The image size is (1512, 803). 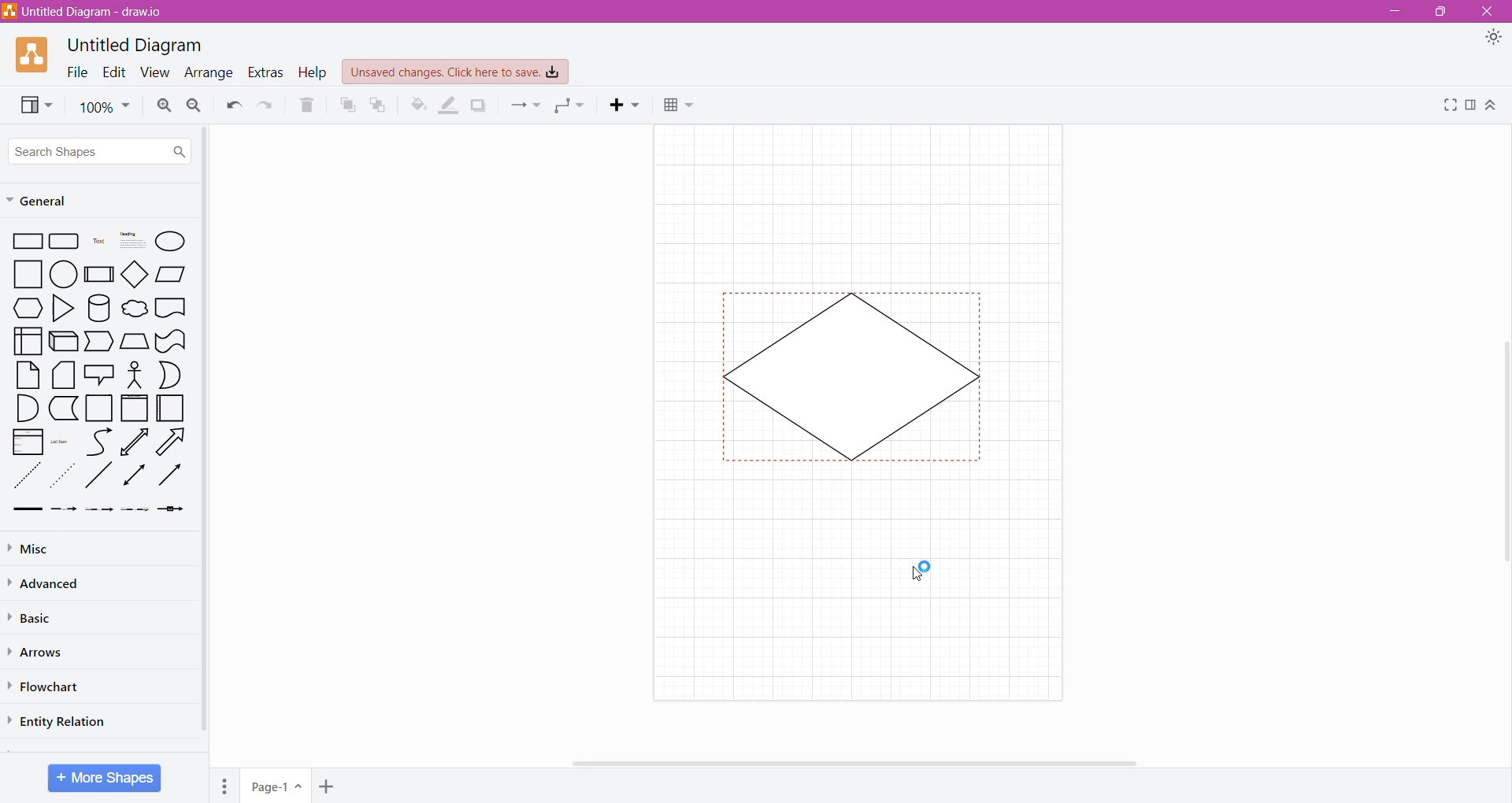 What do you see at coordinates (480, 105) in the screenshot?
I see `Shadow` at bounding box center [480, 105].